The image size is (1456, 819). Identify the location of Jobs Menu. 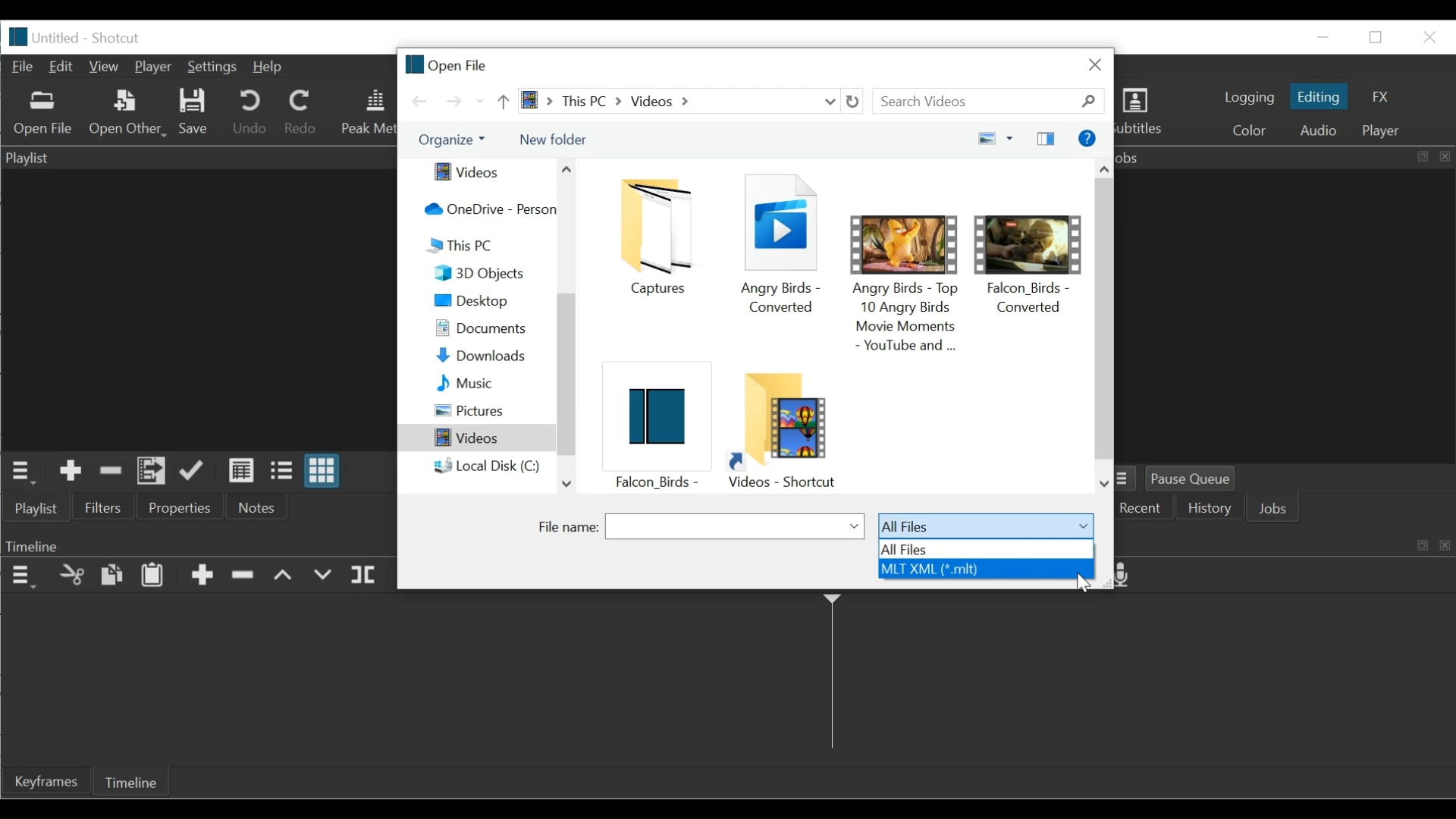
(1128, 479).